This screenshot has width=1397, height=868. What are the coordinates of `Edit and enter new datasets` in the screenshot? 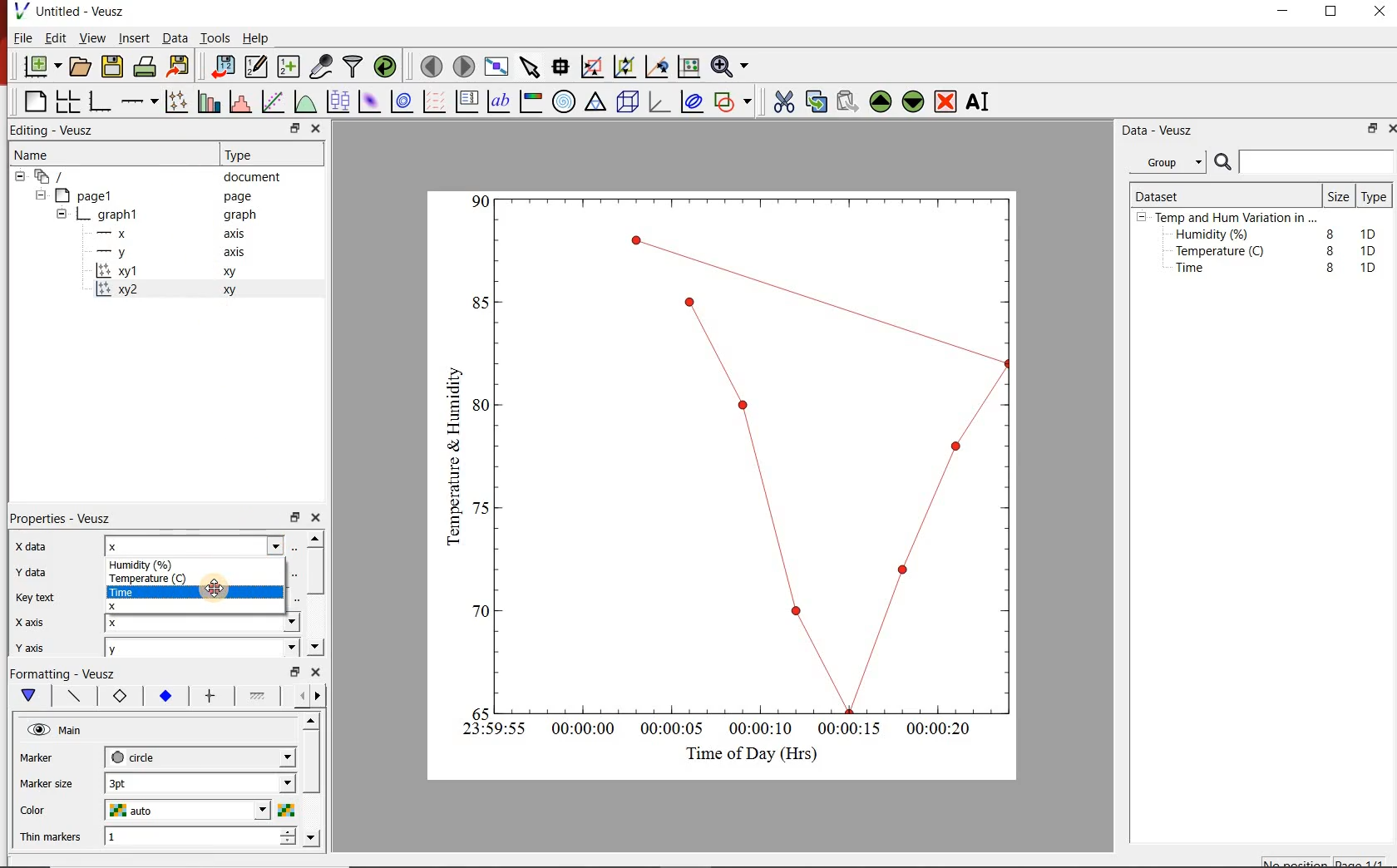 It's located at (257, 67).